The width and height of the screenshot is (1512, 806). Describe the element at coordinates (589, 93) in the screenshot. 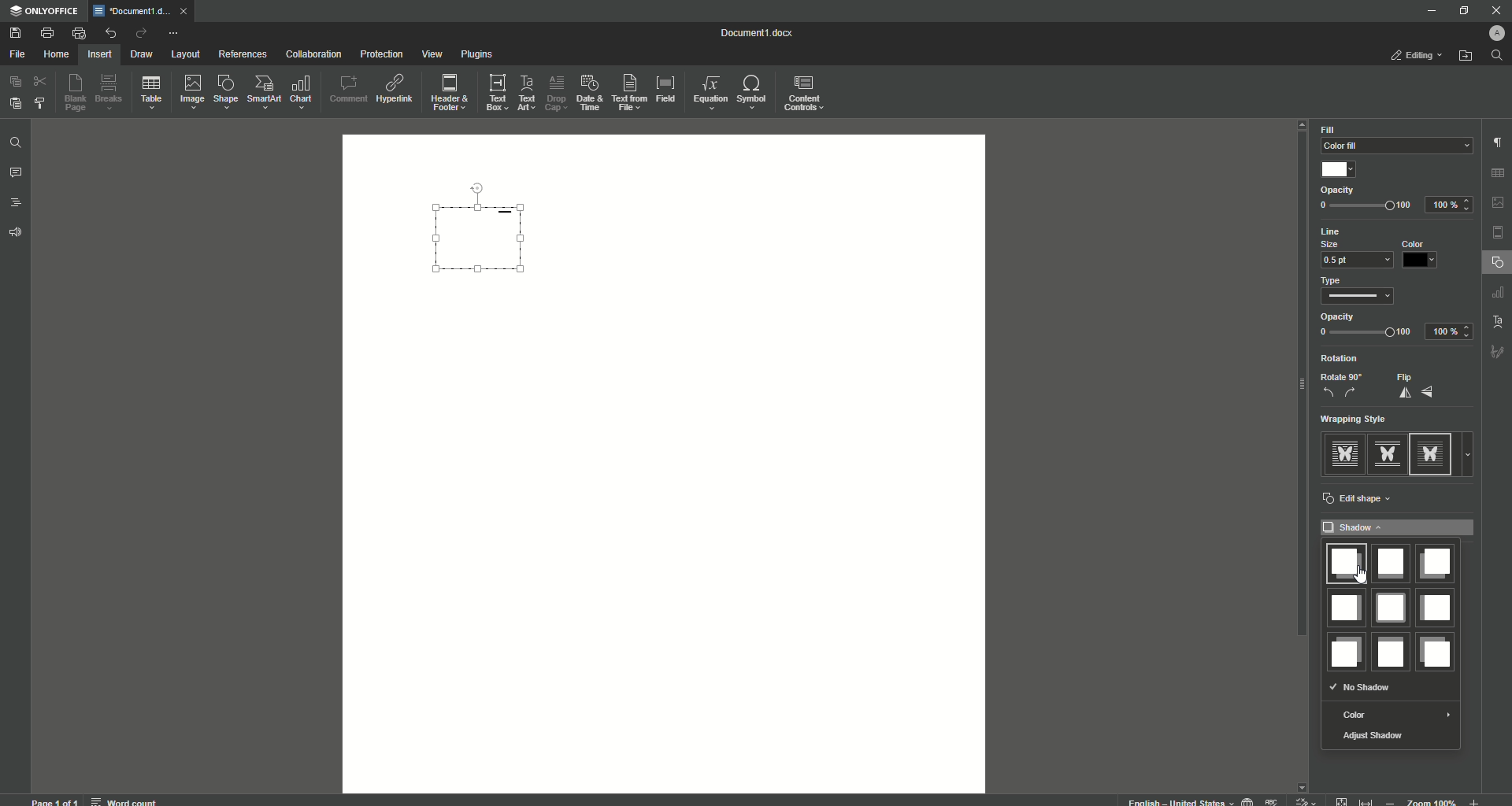

I see `Date and Time` at that location.